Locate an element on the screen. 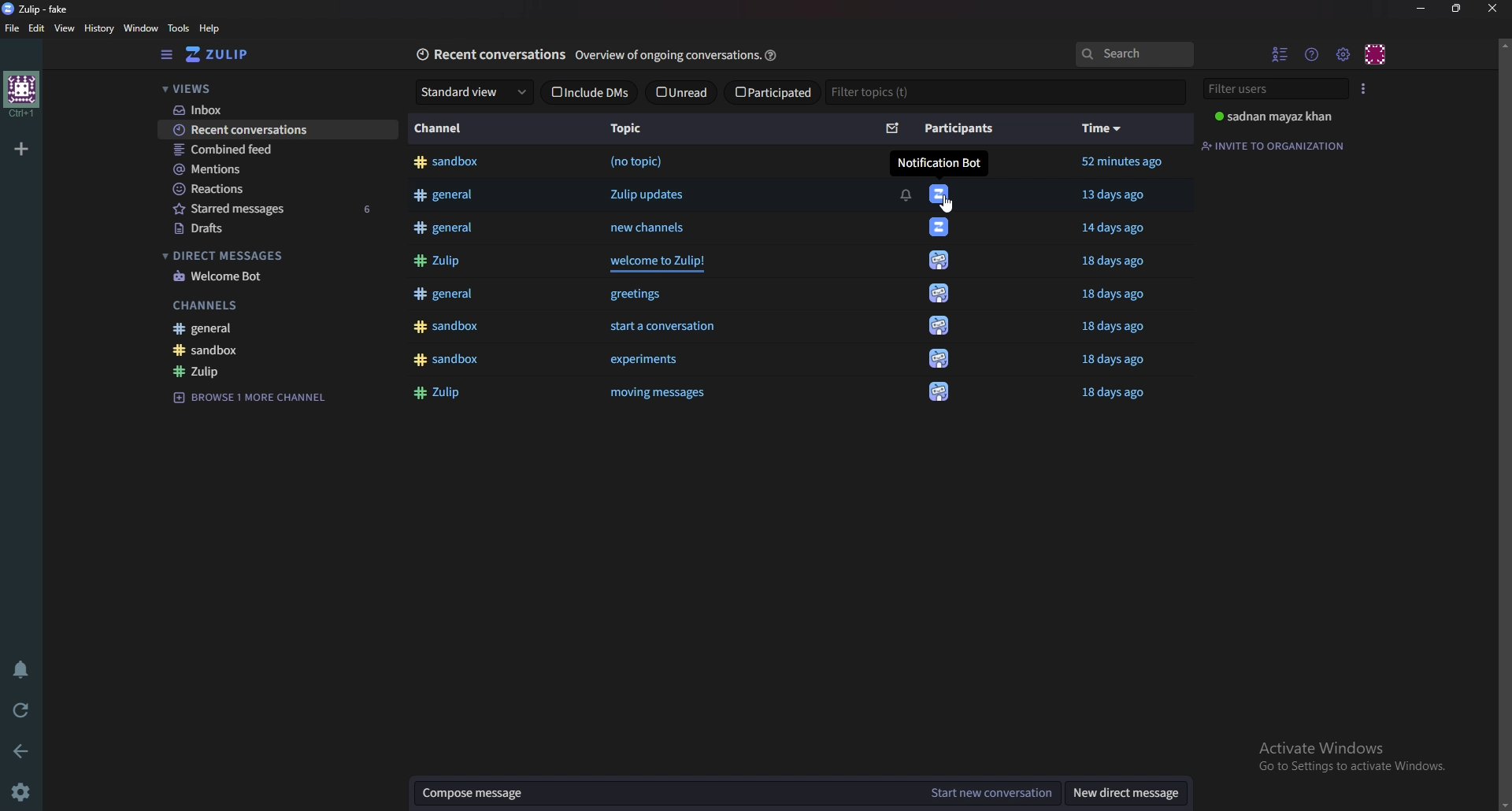  Participants is located at coordinates (957, 129).